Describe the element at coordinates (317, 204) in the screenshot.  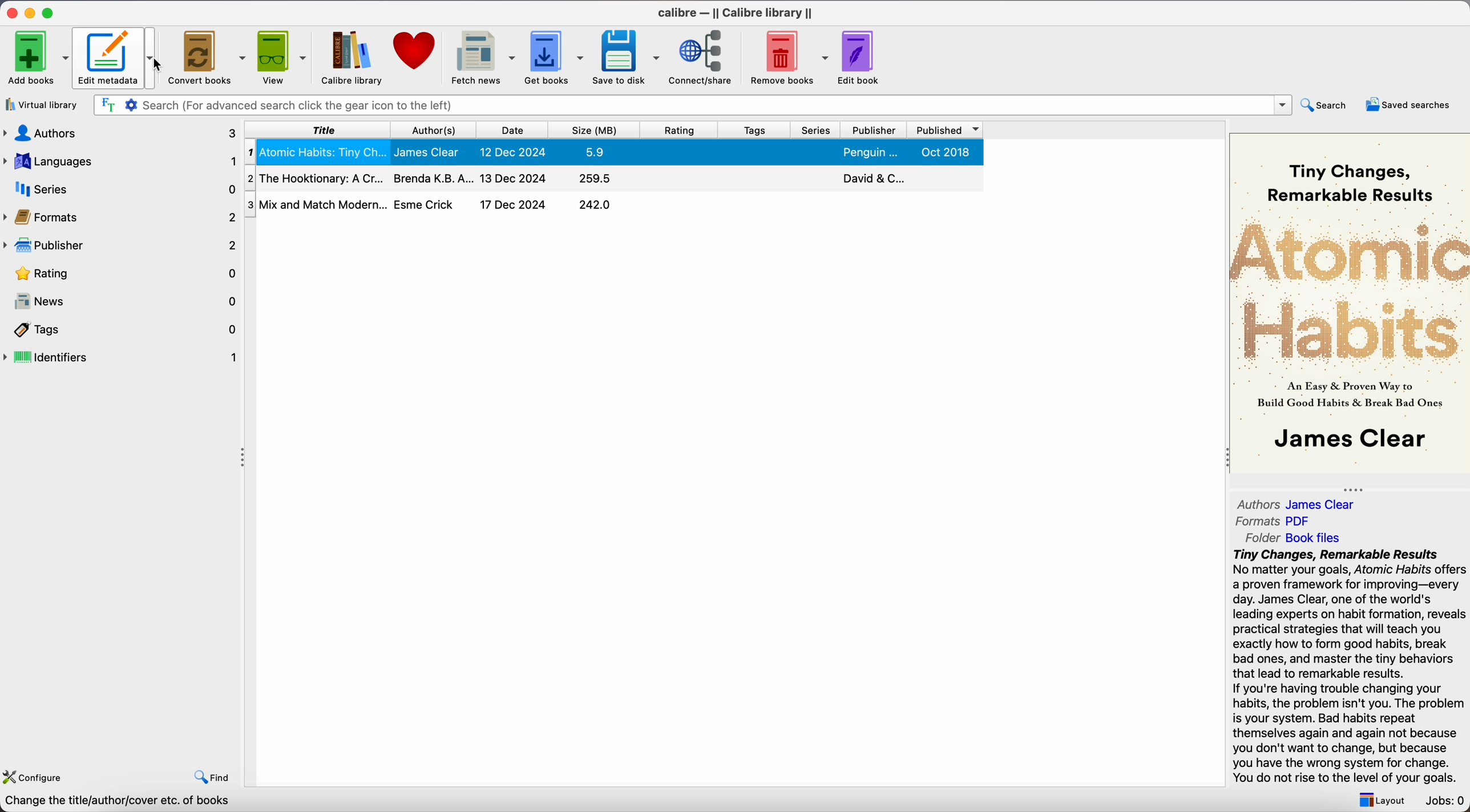
I see `Mix and Match Modern...` at that location.